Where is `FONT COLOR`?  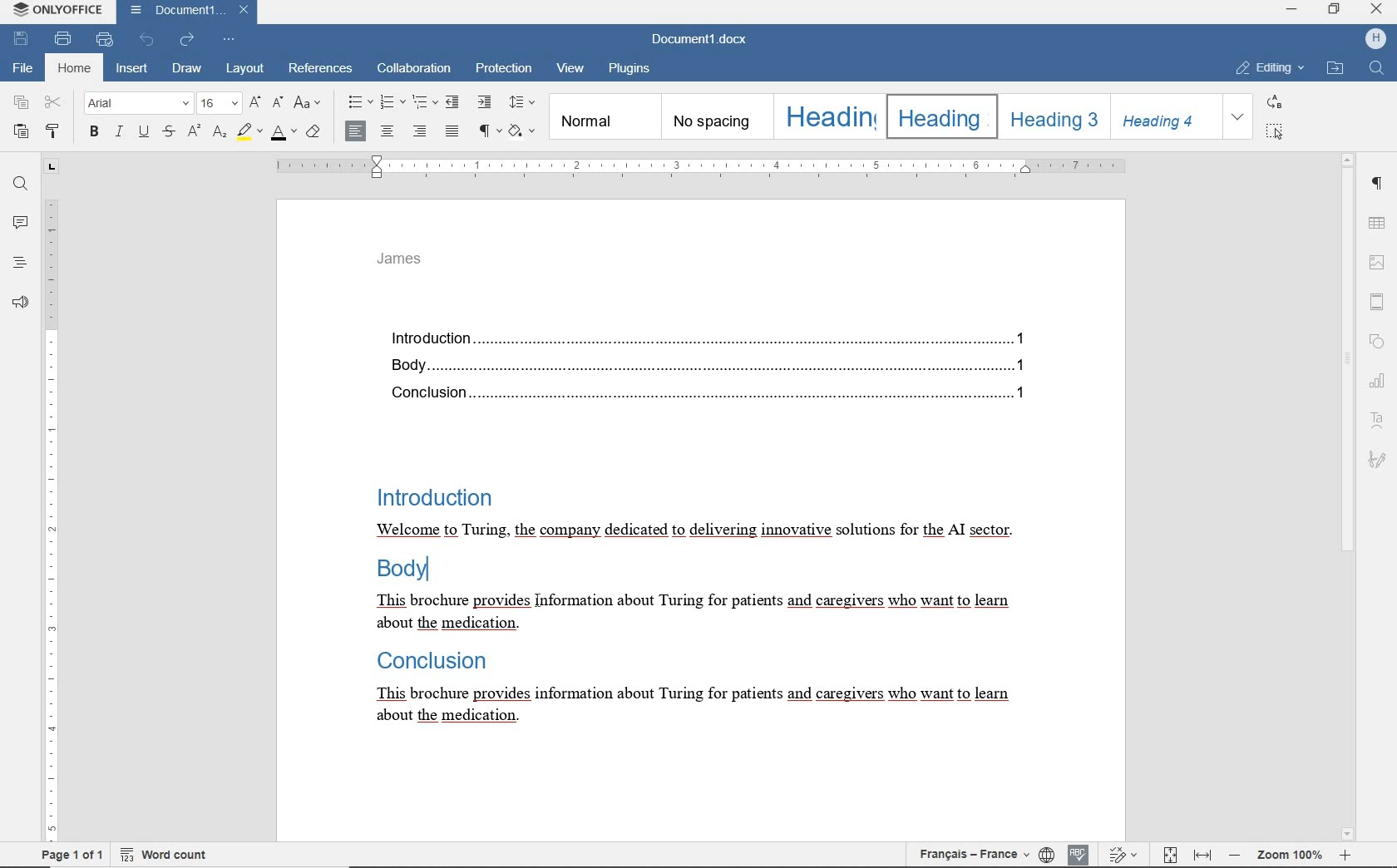 FONT COLOR is located at coordinates (284, 136).